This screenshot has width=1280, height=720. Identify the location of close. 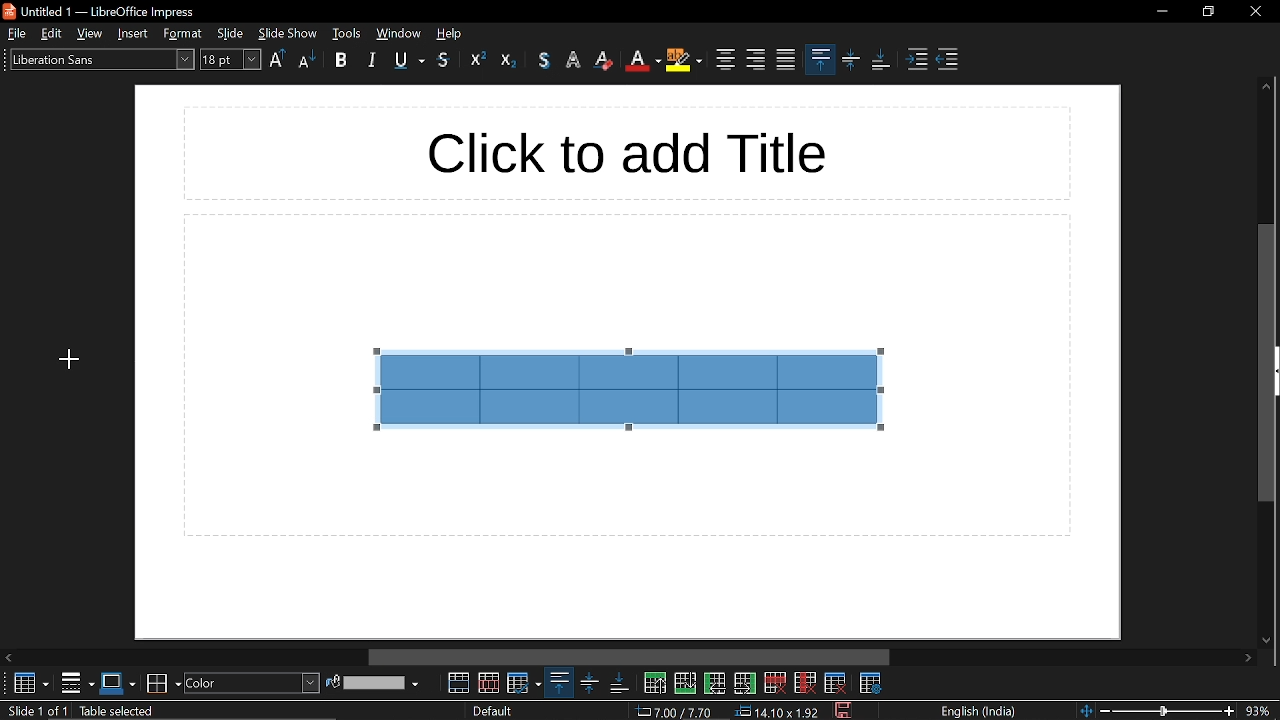
(1250, 12).